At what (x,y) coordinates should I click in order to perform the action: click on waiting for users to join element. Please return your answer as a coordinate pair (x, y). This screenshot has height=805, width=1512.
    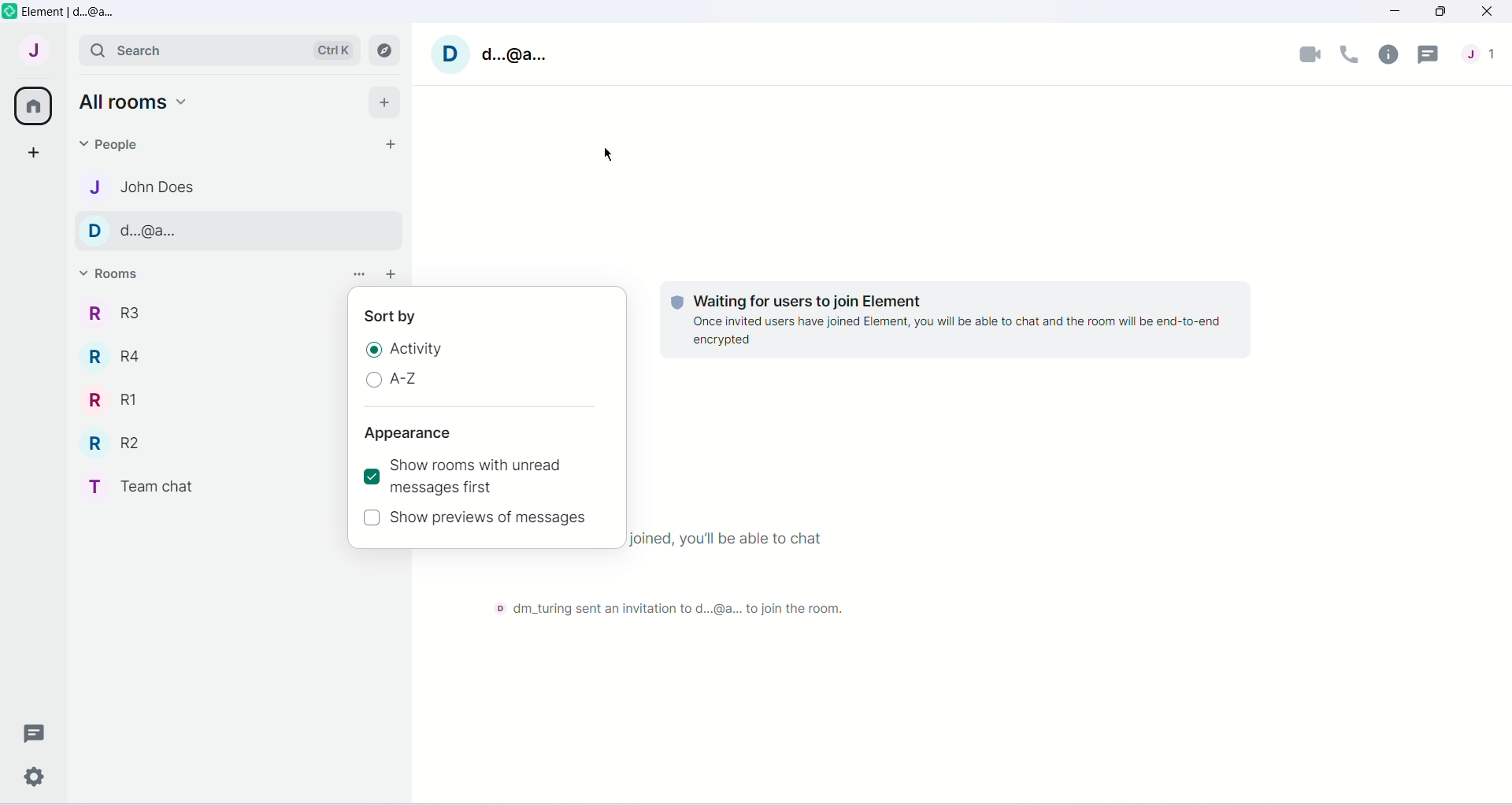
    Looking at the image, I should click on (830, 297).